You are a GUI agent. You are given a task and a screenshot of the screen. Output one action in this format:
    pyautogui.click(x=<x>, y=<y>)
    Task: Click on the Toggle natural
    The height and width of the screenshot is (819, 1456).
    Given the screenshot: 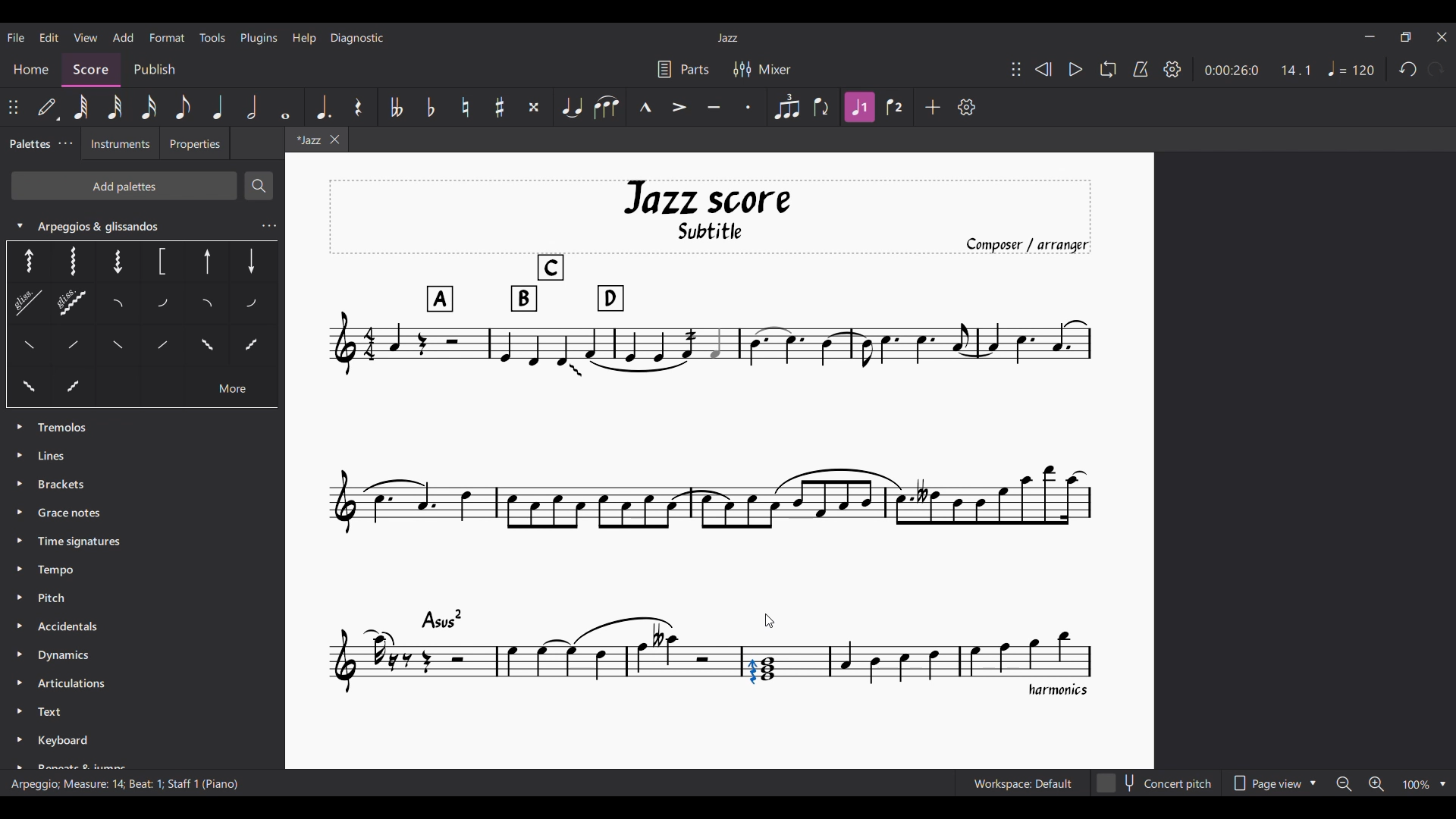 What is the action you would take?
    pyautogui.click(x=466, y=107)
    